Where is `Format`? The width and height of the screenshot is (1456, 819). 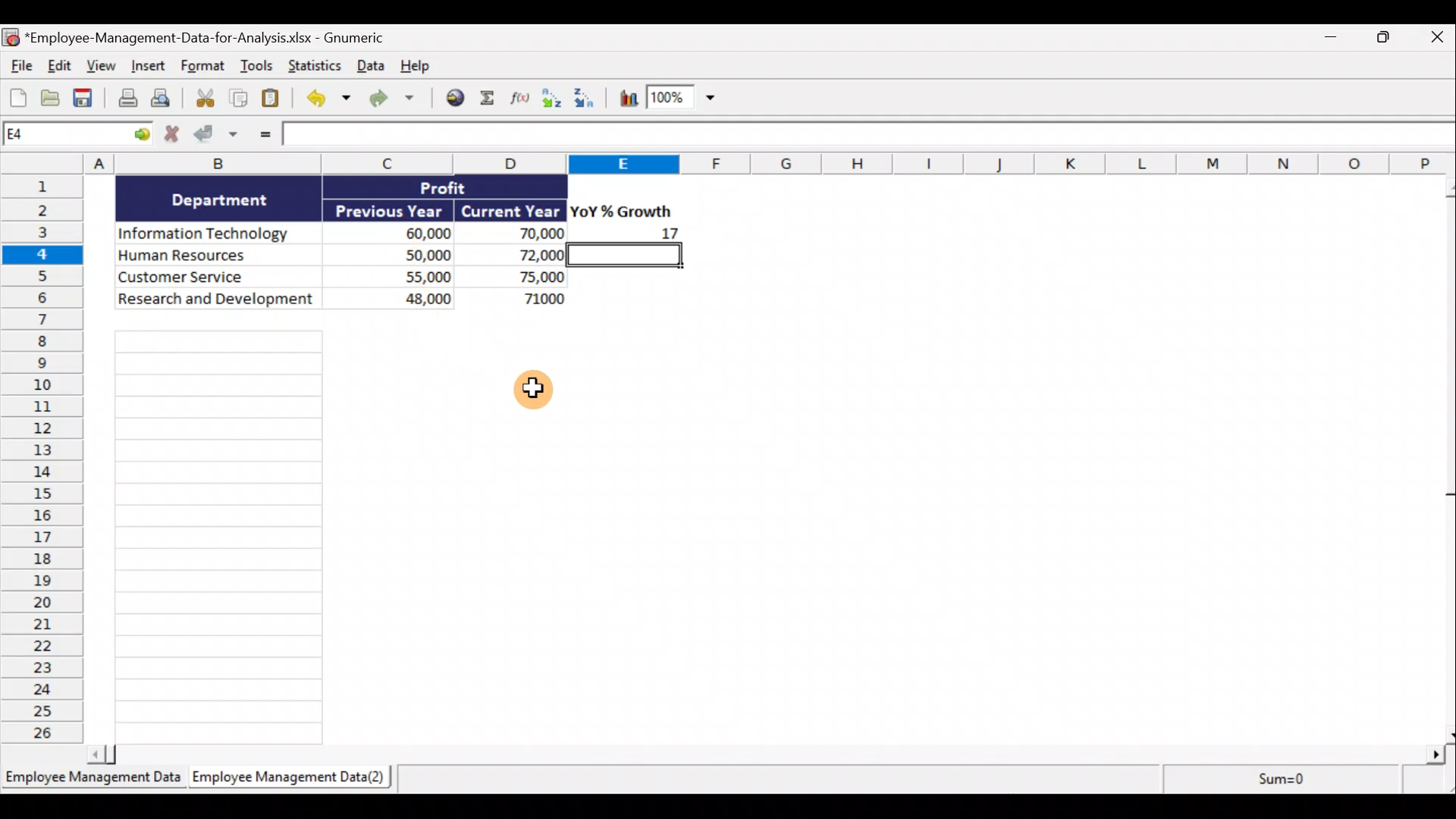 Format is located at coordinates (204, 67).